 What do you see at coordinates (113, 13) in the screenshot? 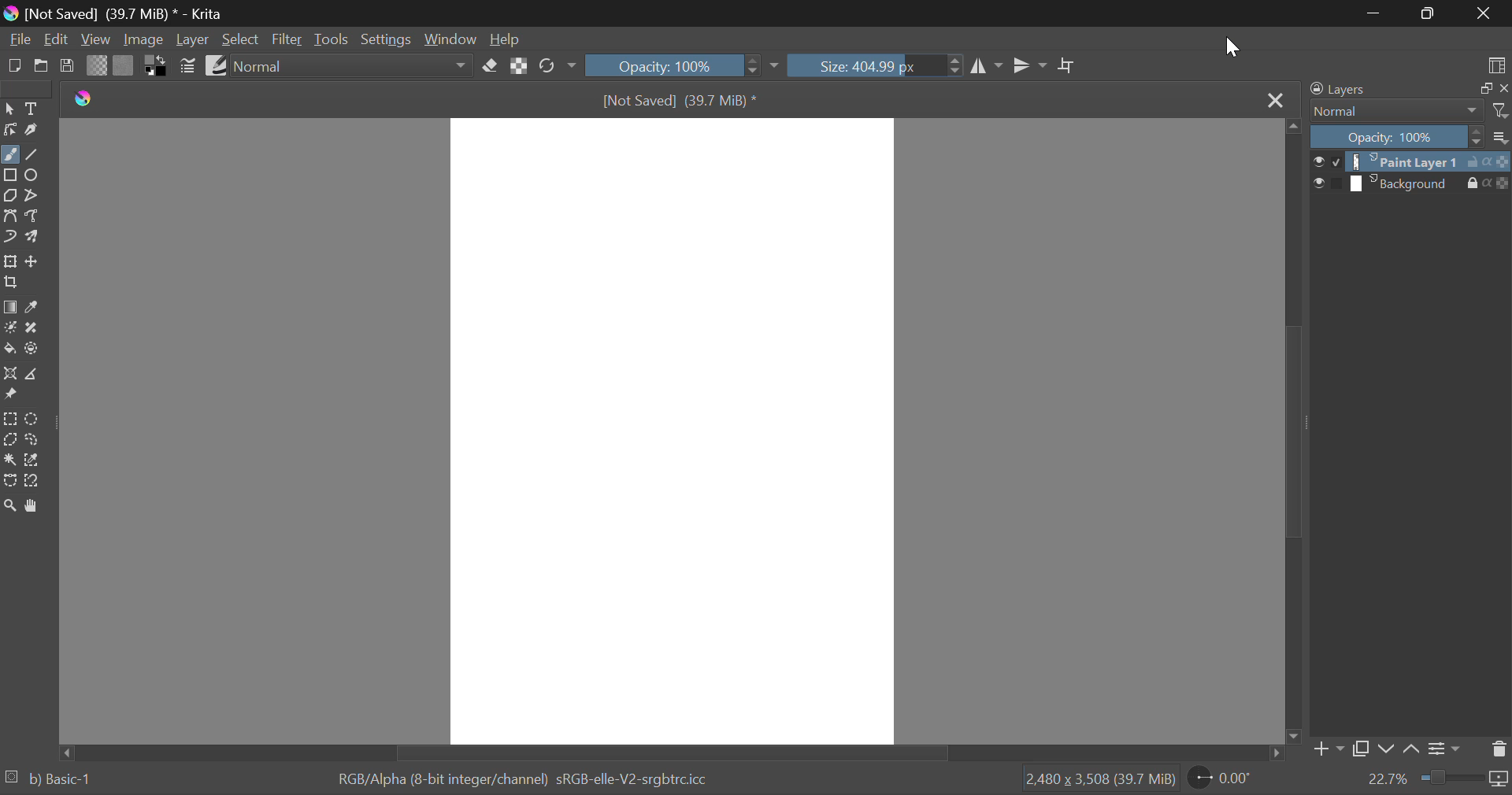
I see `(Not Saved) (39,7 MB)* -Krita` at bounding box center [113, 13].